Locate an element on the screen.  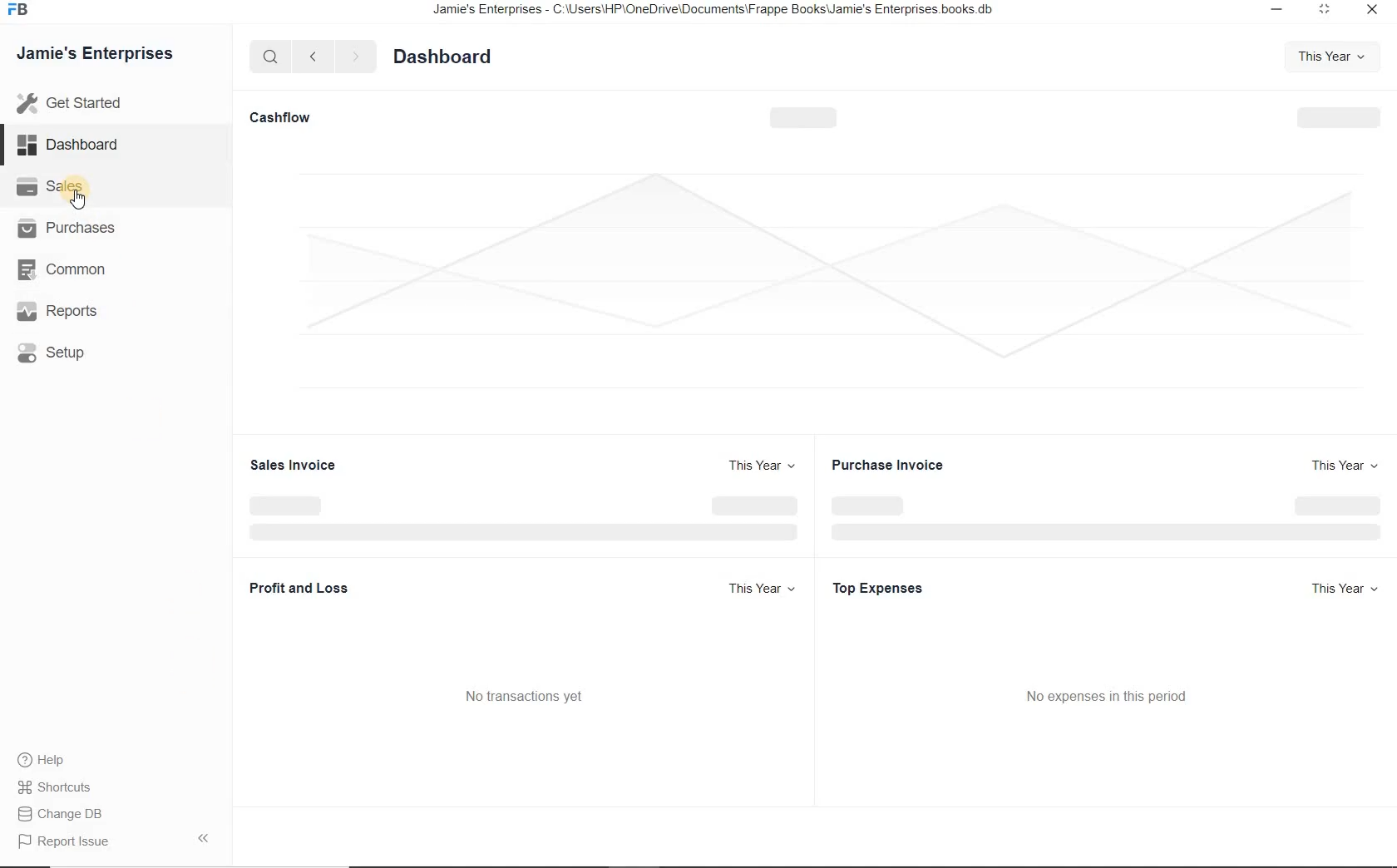
hide is located at coordinates (203, 838).